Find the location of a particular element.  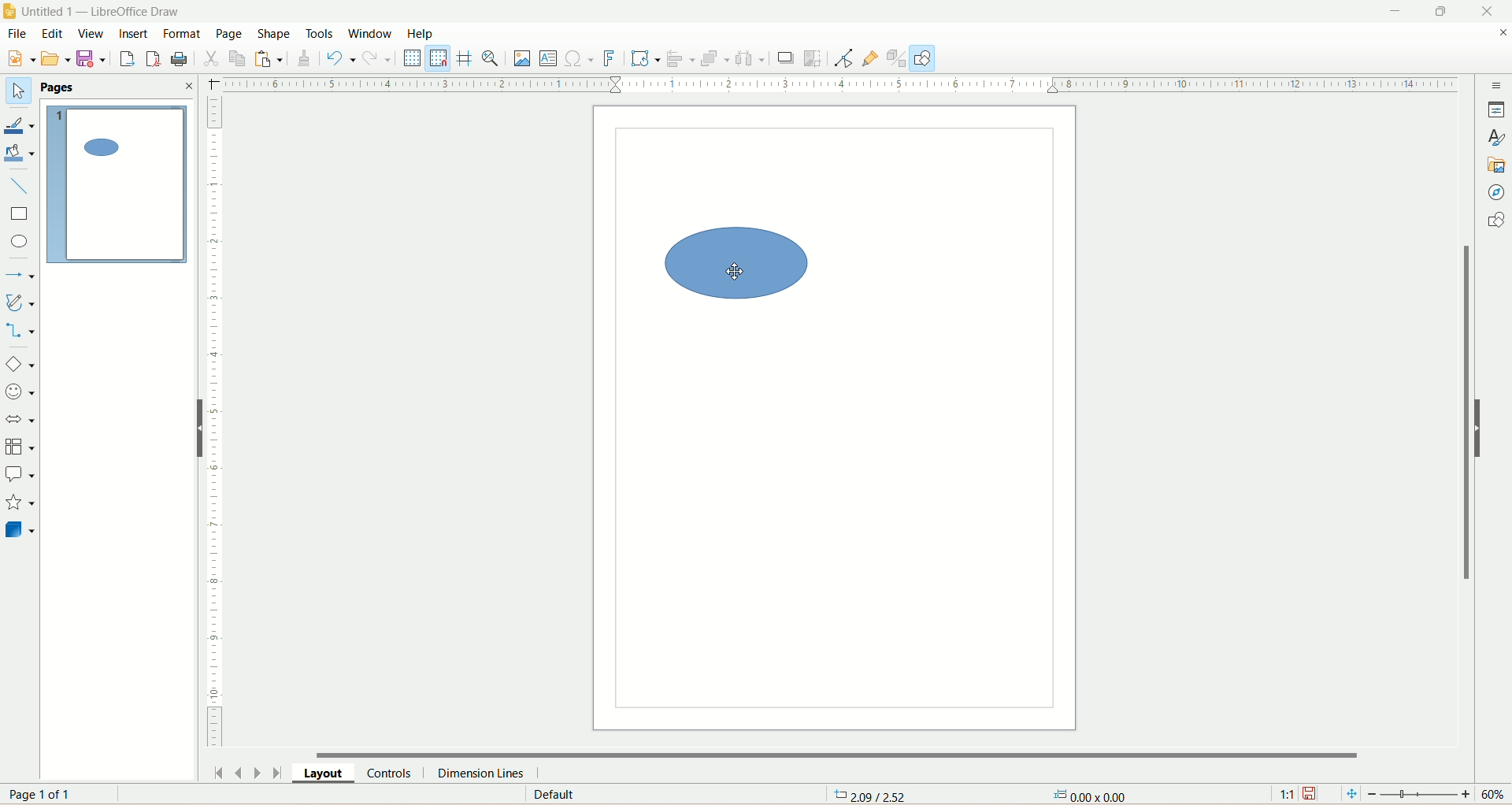

last page is located at coordinates (282, 773).